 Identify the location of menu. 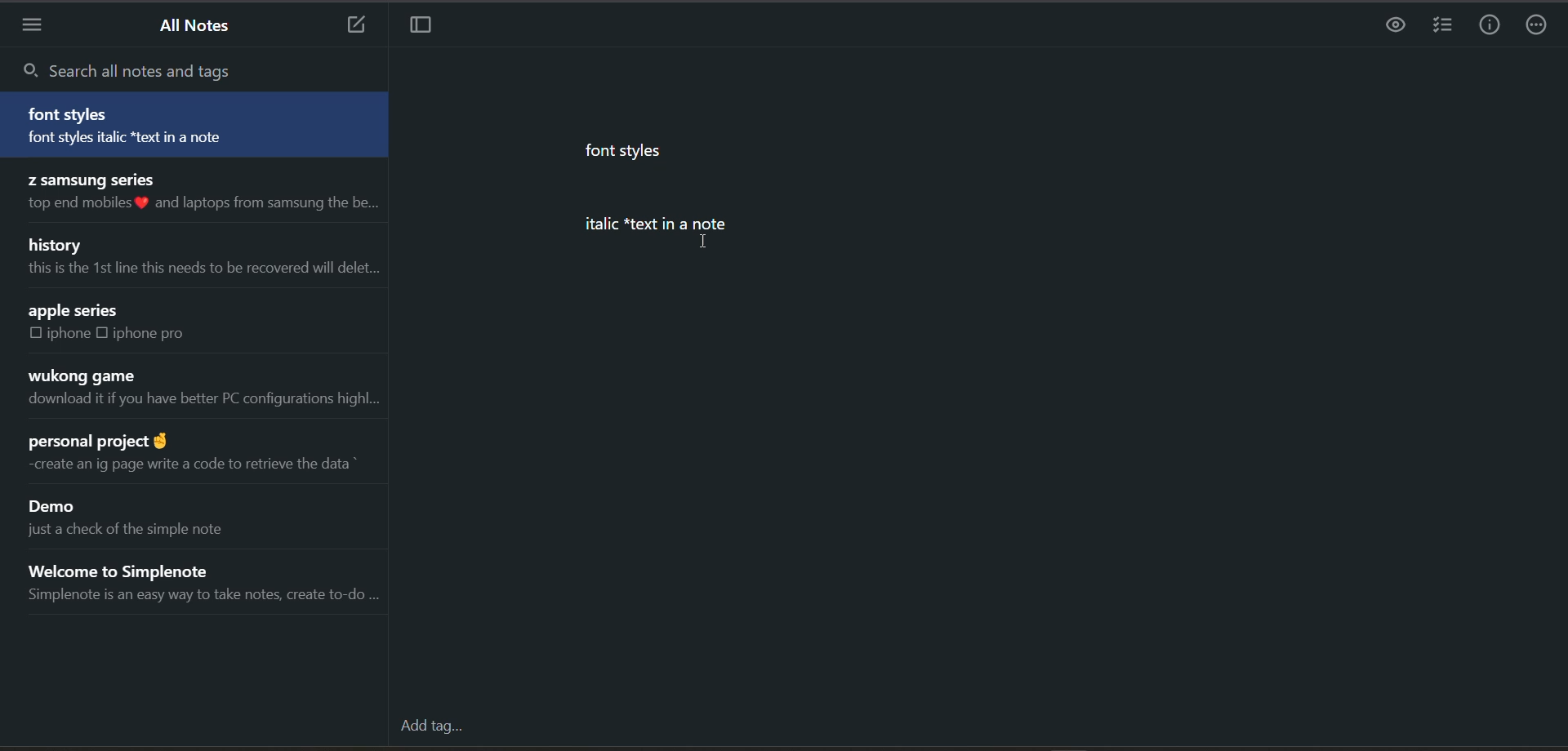
(37, 26).